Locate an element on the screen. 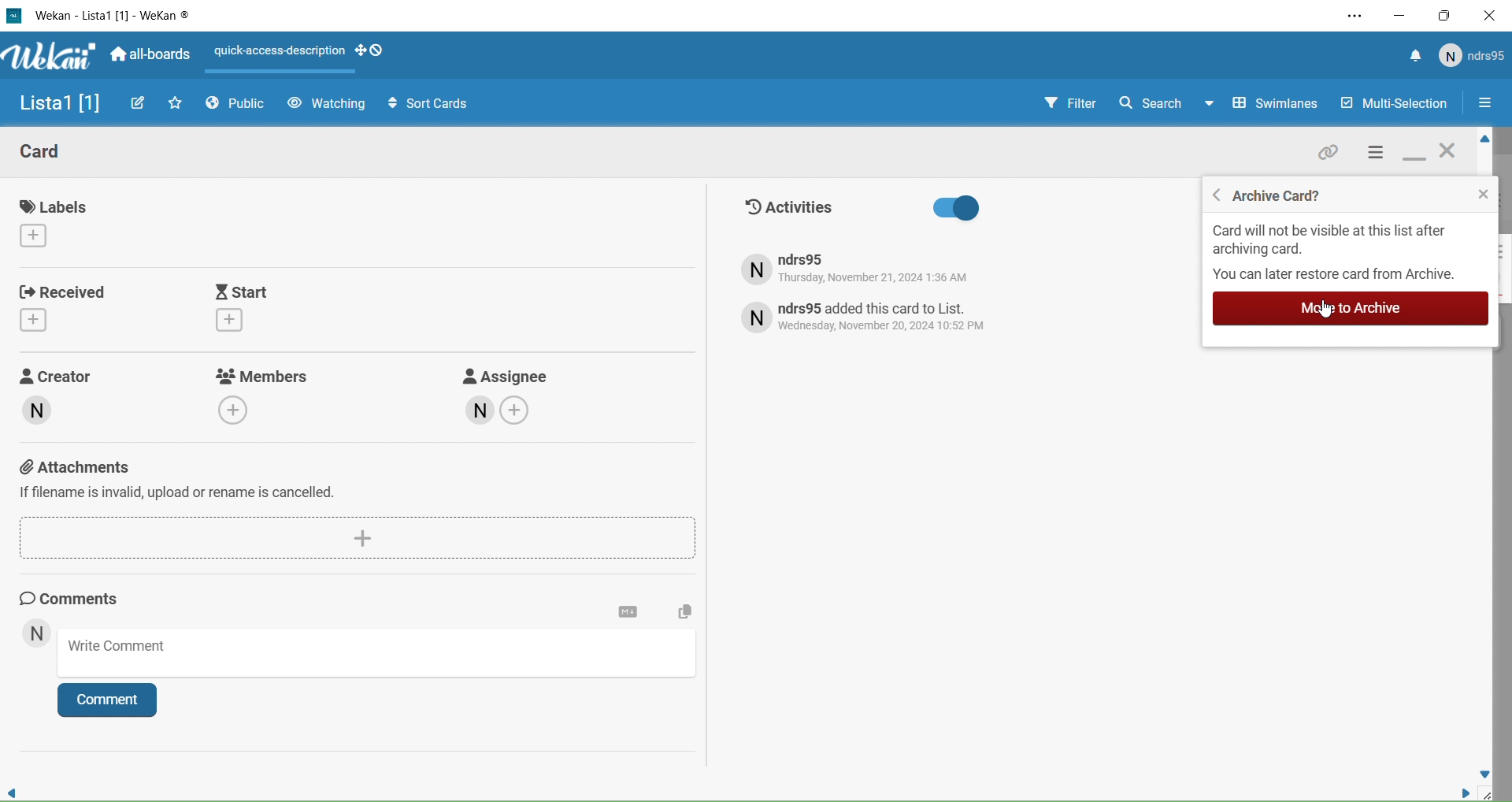 Image resolution: width=1512 pixels, height=802 pixels. User is located at coordinates (1469, 56).